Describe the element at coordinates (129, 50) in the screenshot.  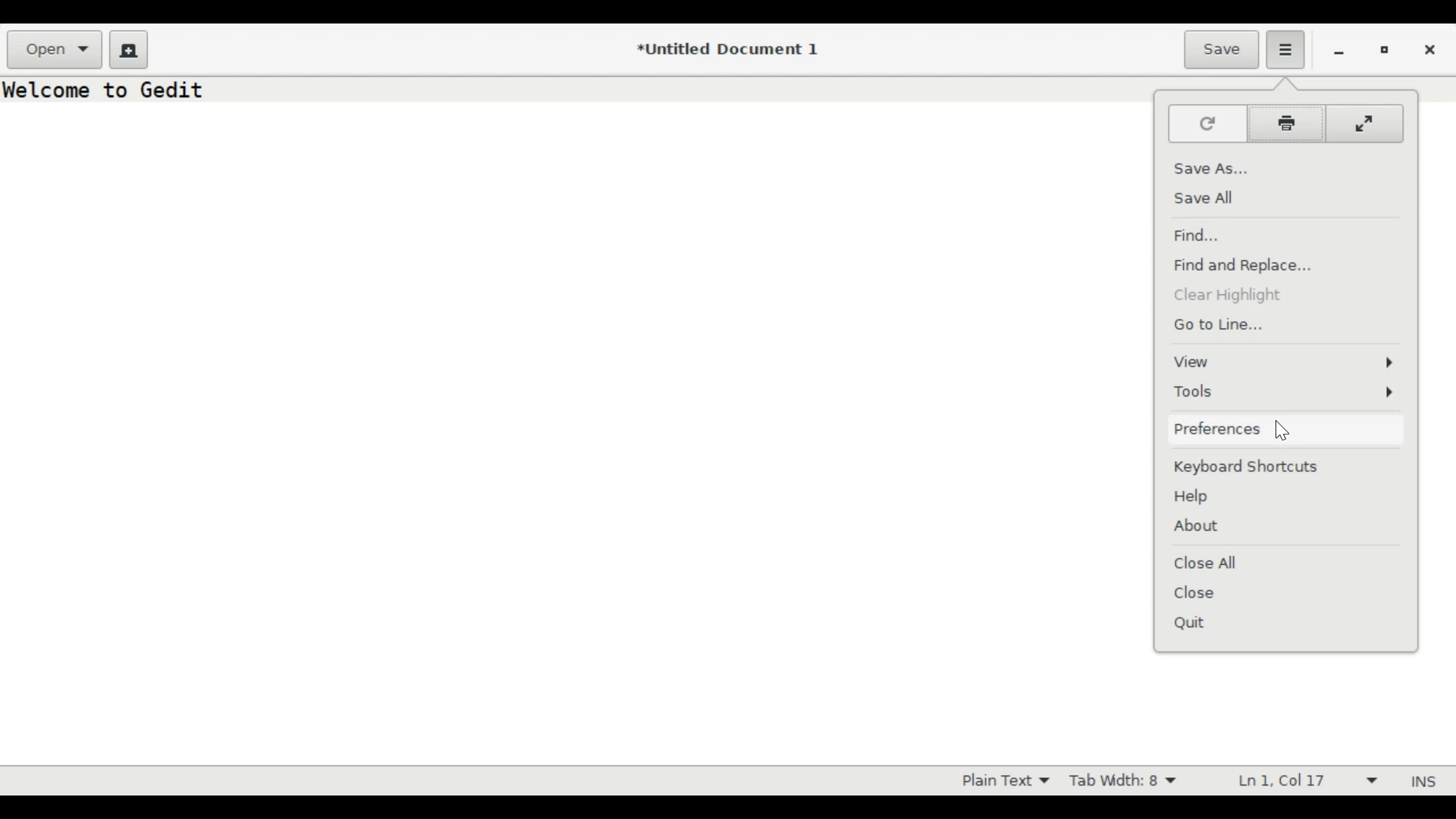
I see `Create a new document` at that location.